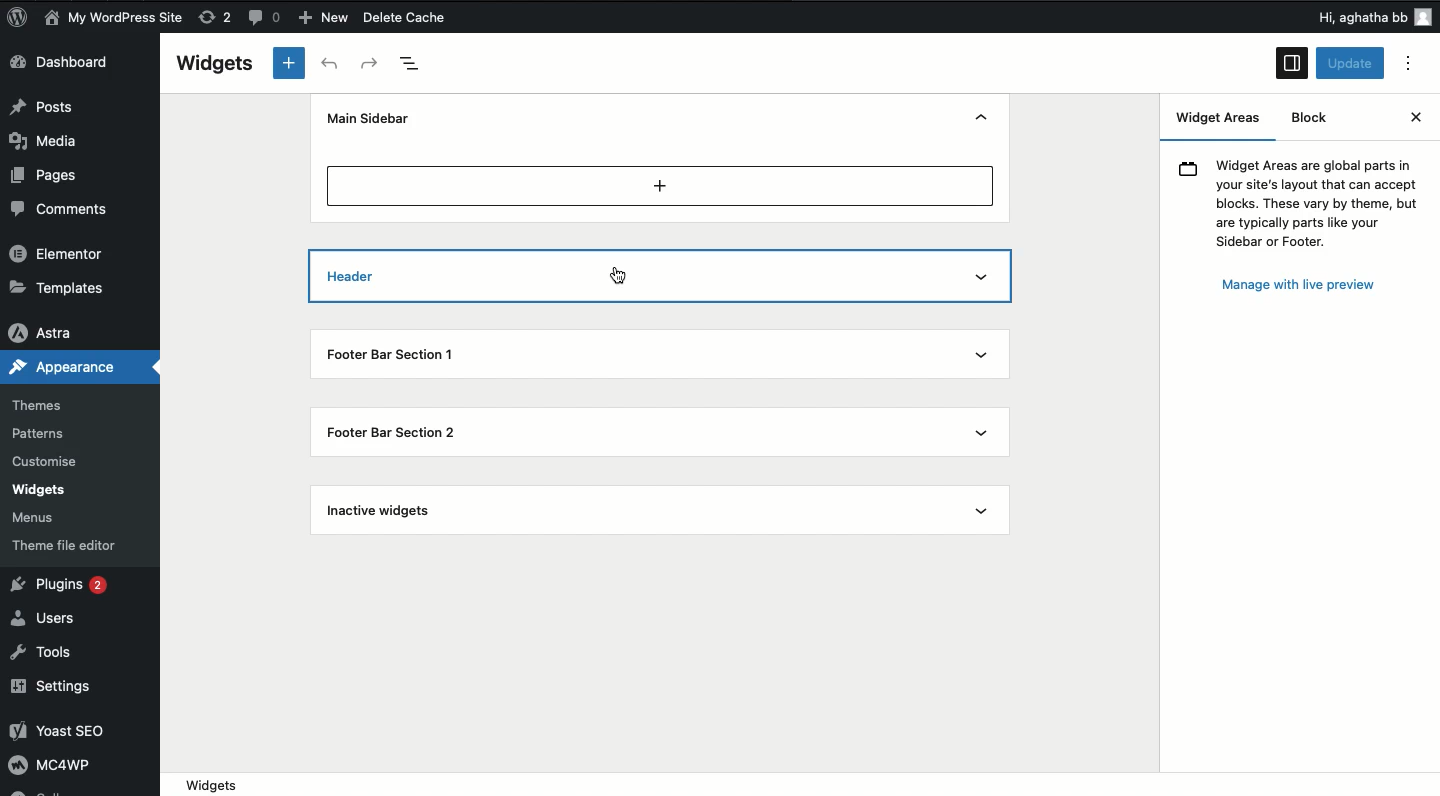  What do you see at coordinates (68, 587) in the screenshot?
I see `Plugins 2` at bounding box center [68, 587].